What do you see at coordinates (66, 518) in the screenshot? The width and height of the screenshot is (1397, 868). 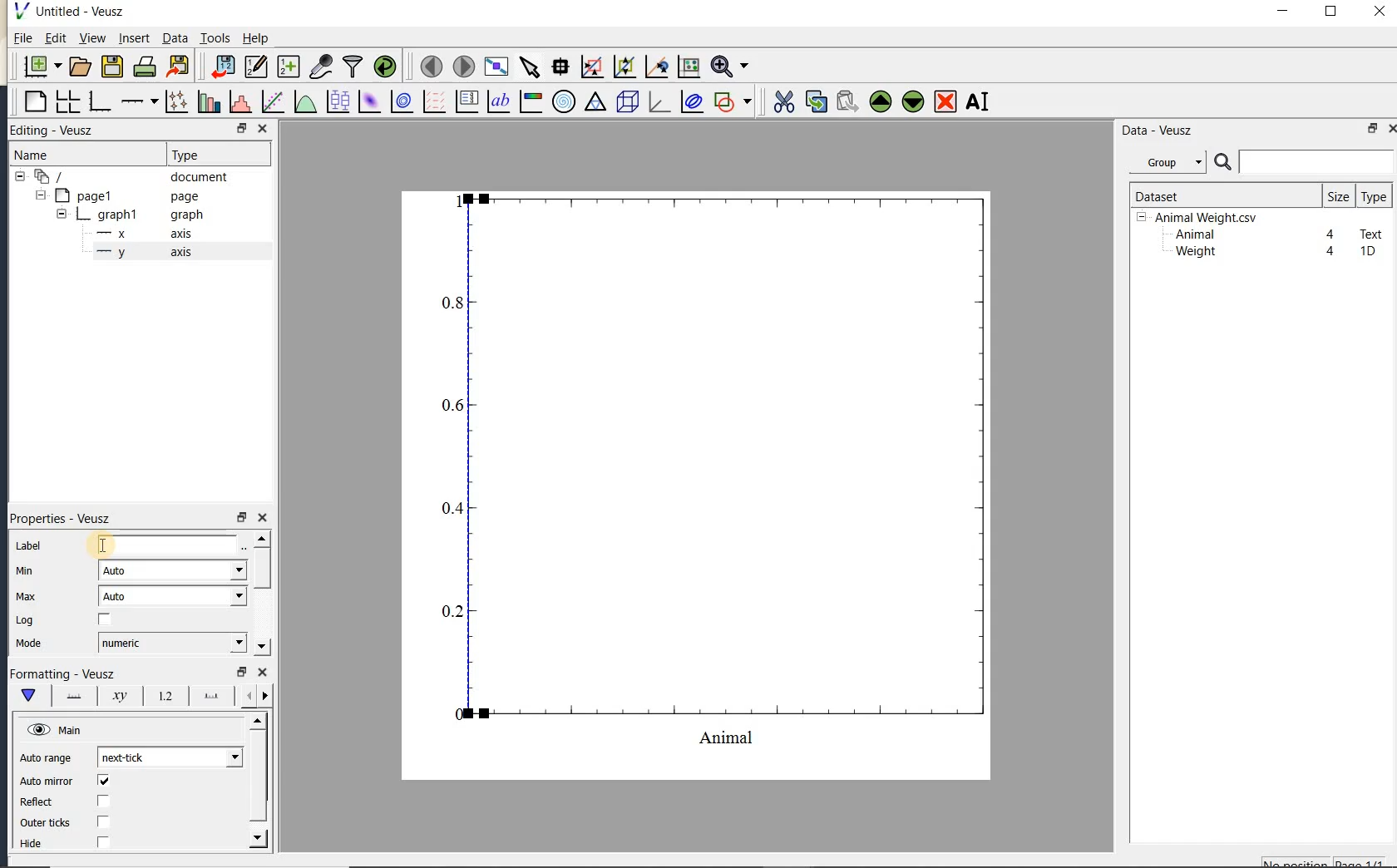 I see `Properties - Veusz` at bounding box center [66, 518].